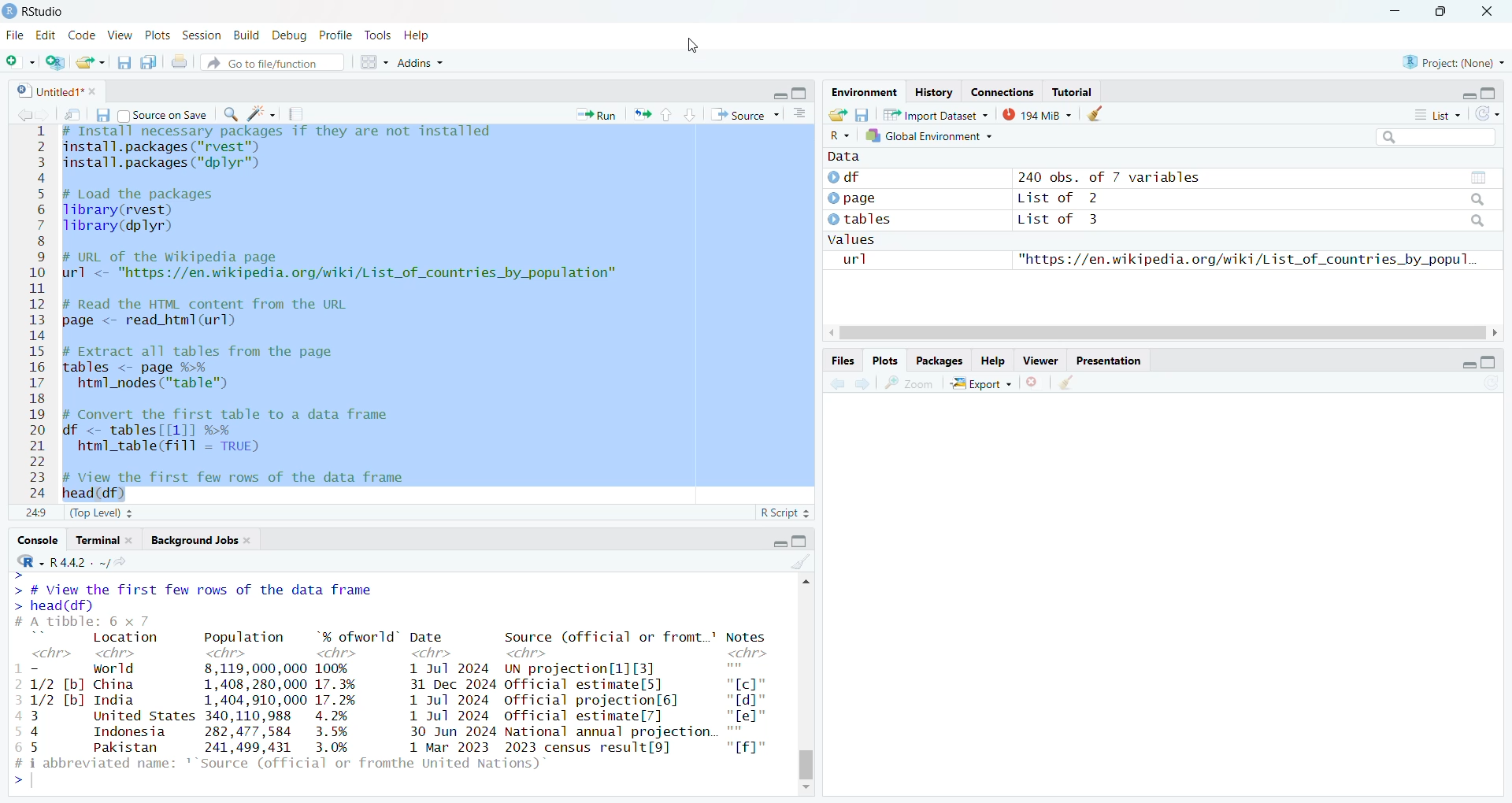 The image size is (1512, 803). I want to click on Source on save, so click(164, 115).